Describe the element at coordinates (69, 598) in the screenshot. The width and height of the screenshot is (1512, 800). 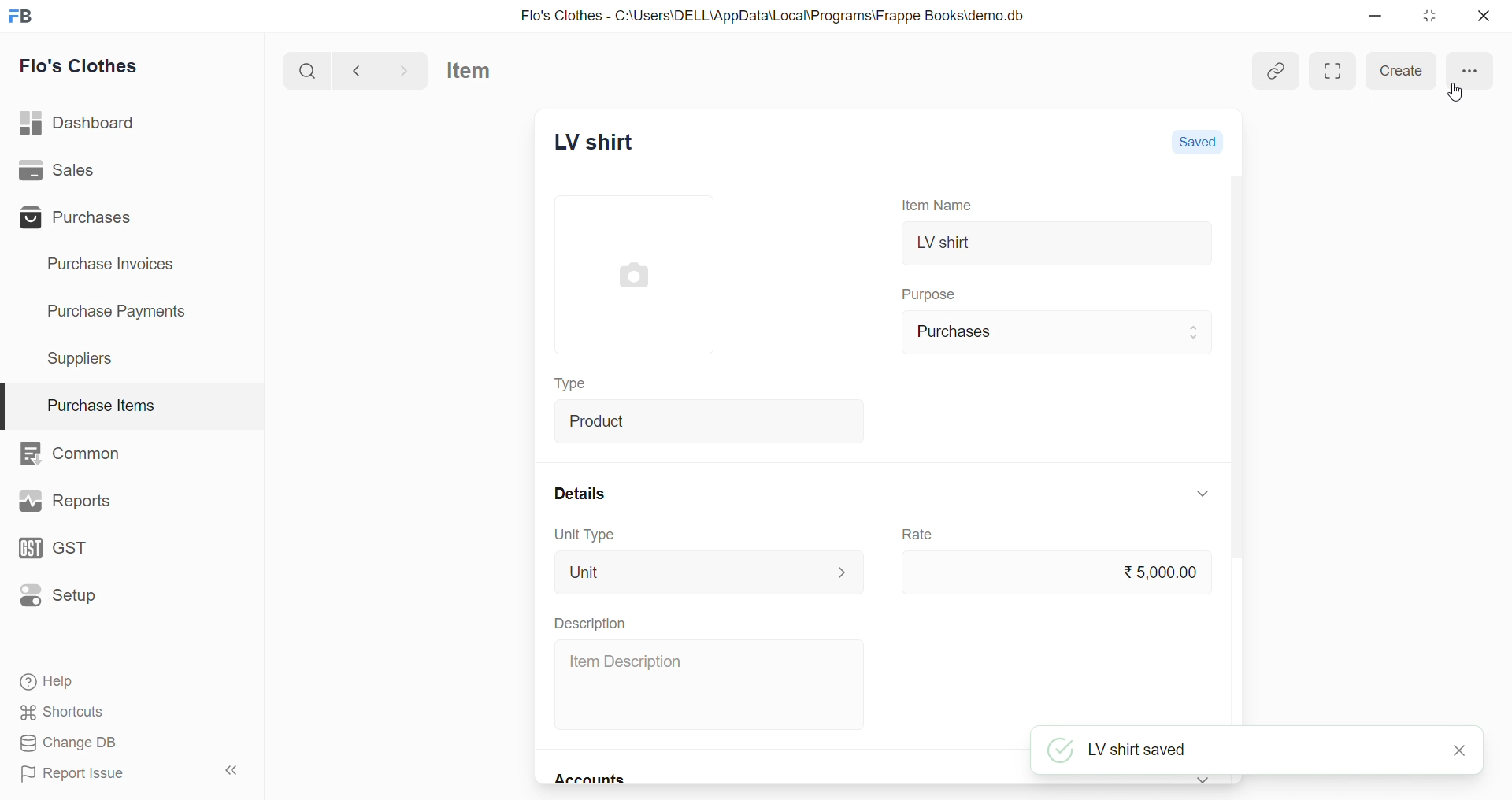
I see `Setup` at that location.